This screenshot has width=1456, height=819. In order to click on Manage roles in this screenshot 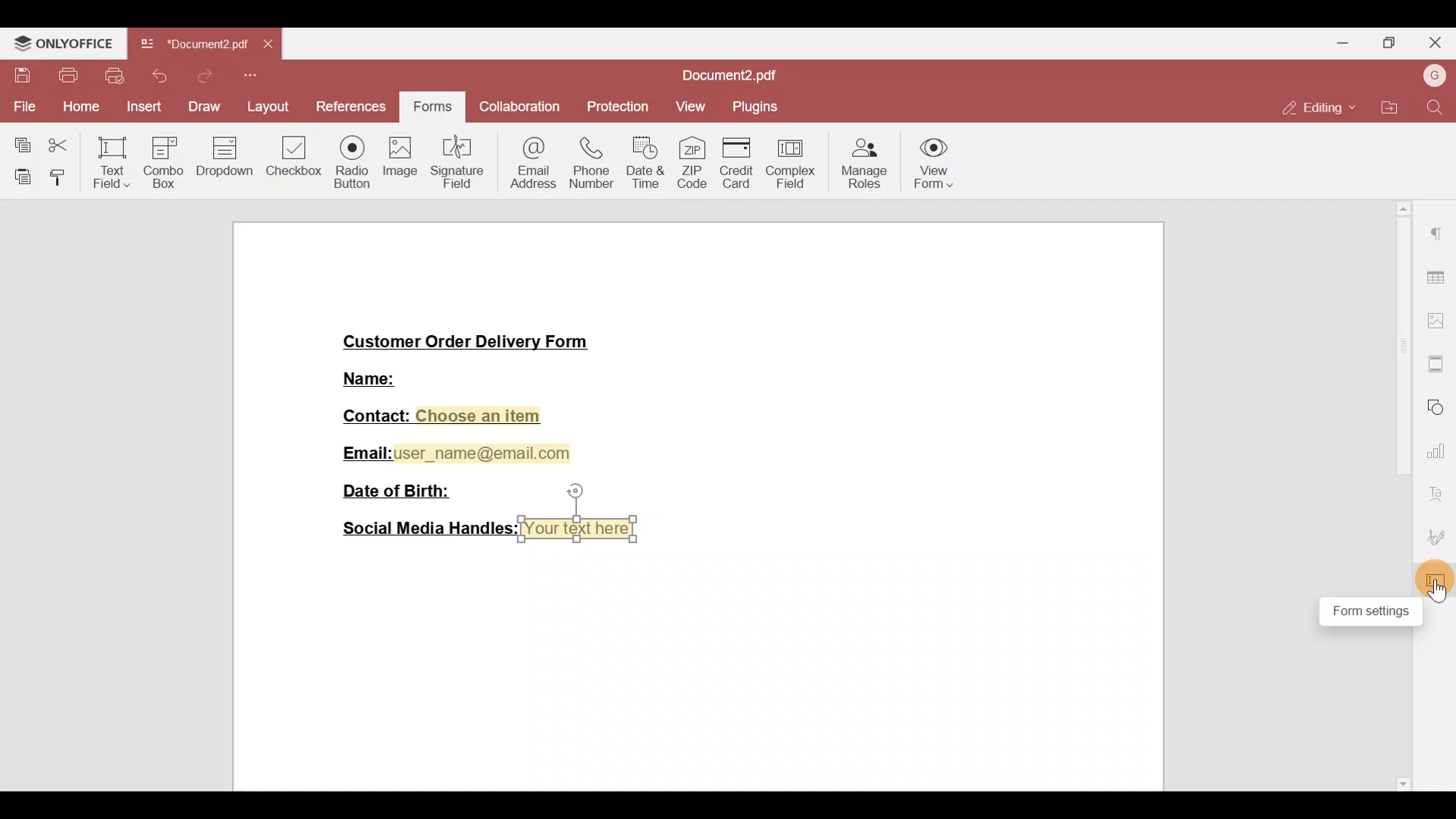, I will do `click(866, 161)`.